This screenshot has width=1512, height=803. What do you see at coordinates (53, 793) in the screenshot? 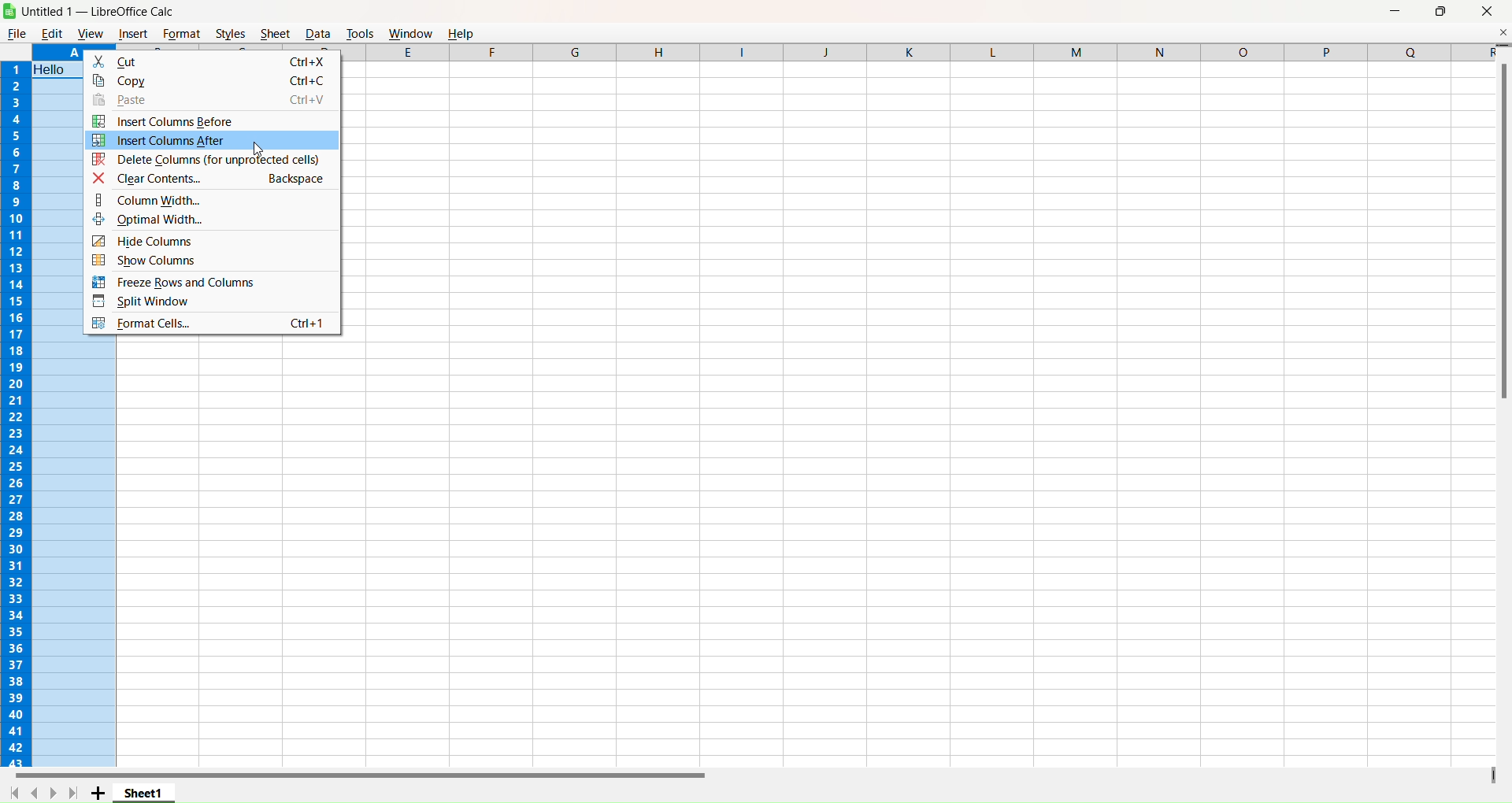
I see `Next Slide` at bounding box center [53, 793].